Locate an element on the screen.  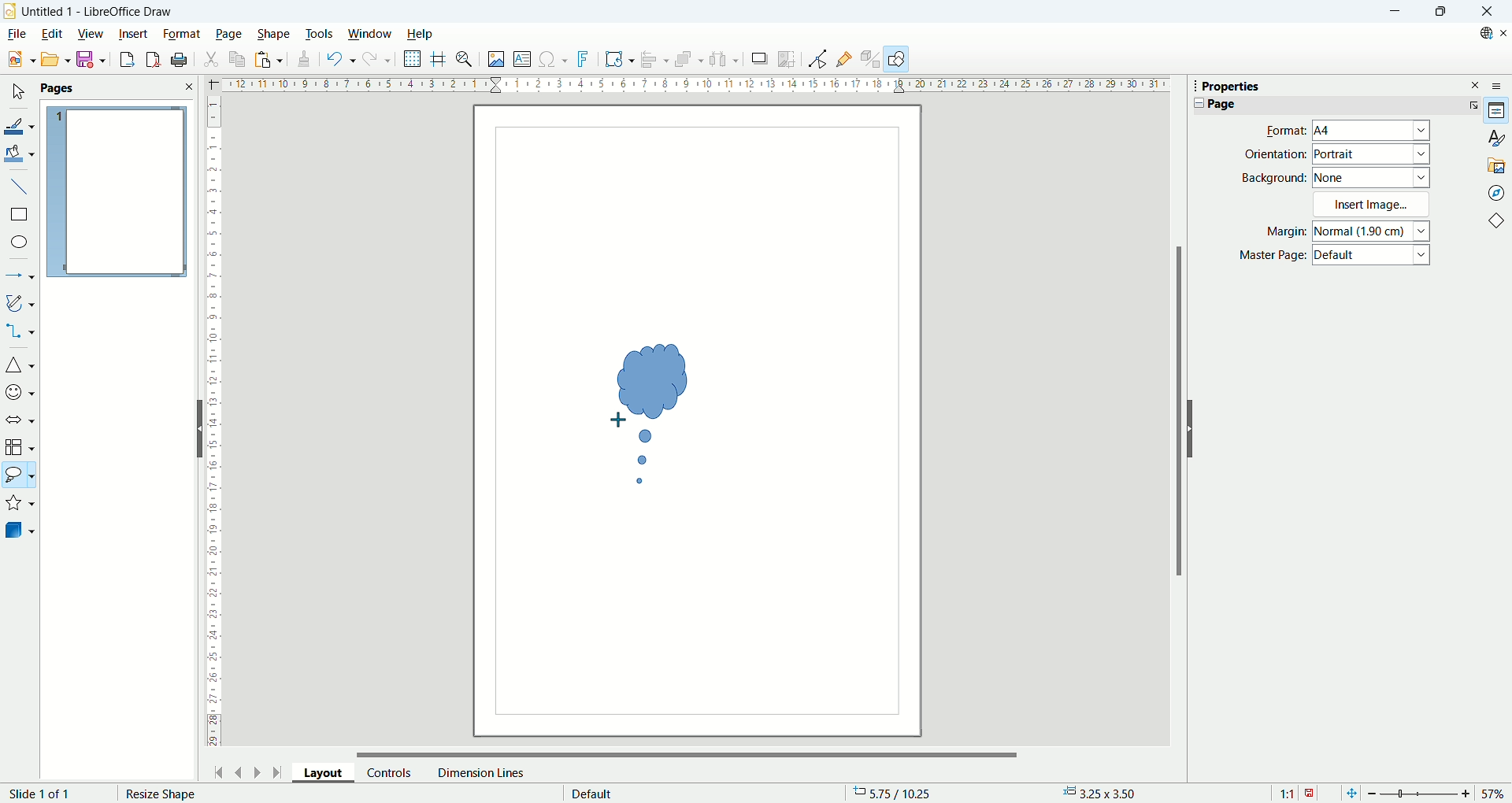
format is located at coordinates (182, 33).